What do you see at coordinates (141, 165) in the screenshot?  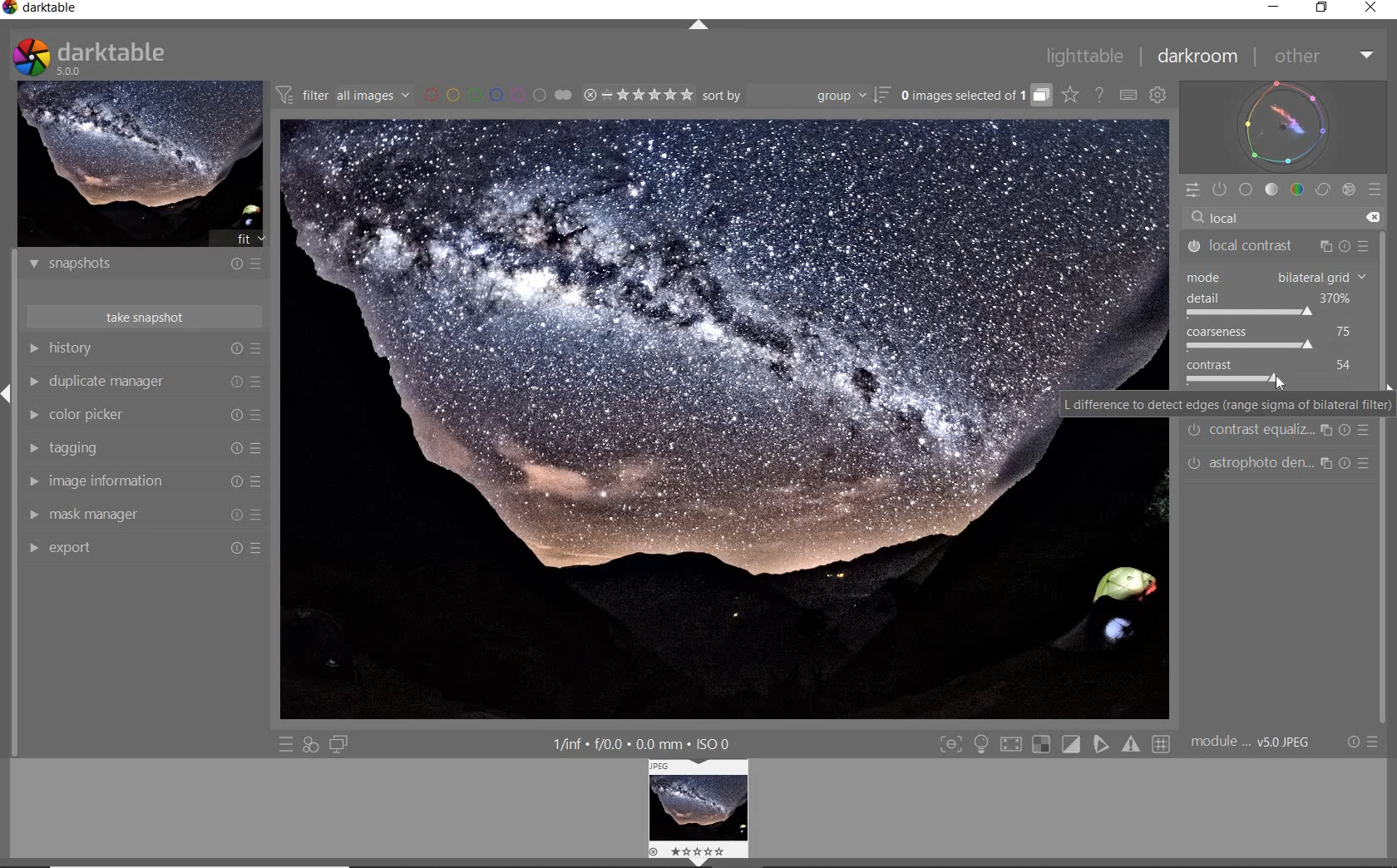 I see `IMAGE PREVIEW` at bounding box center [141, 165].